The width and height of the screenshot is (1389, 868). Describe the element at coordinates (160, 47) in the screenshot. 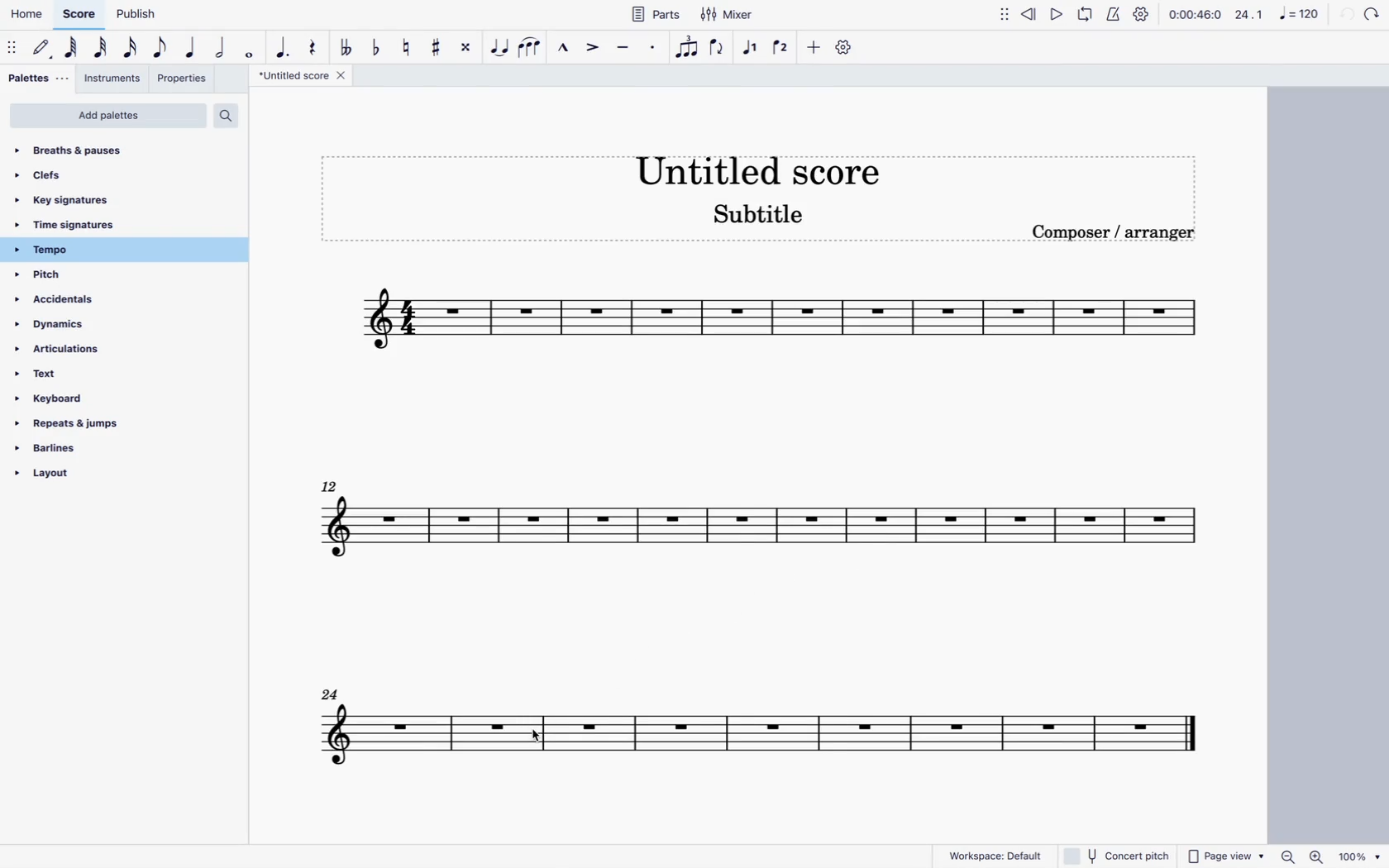

I see `eighth note` at that location.